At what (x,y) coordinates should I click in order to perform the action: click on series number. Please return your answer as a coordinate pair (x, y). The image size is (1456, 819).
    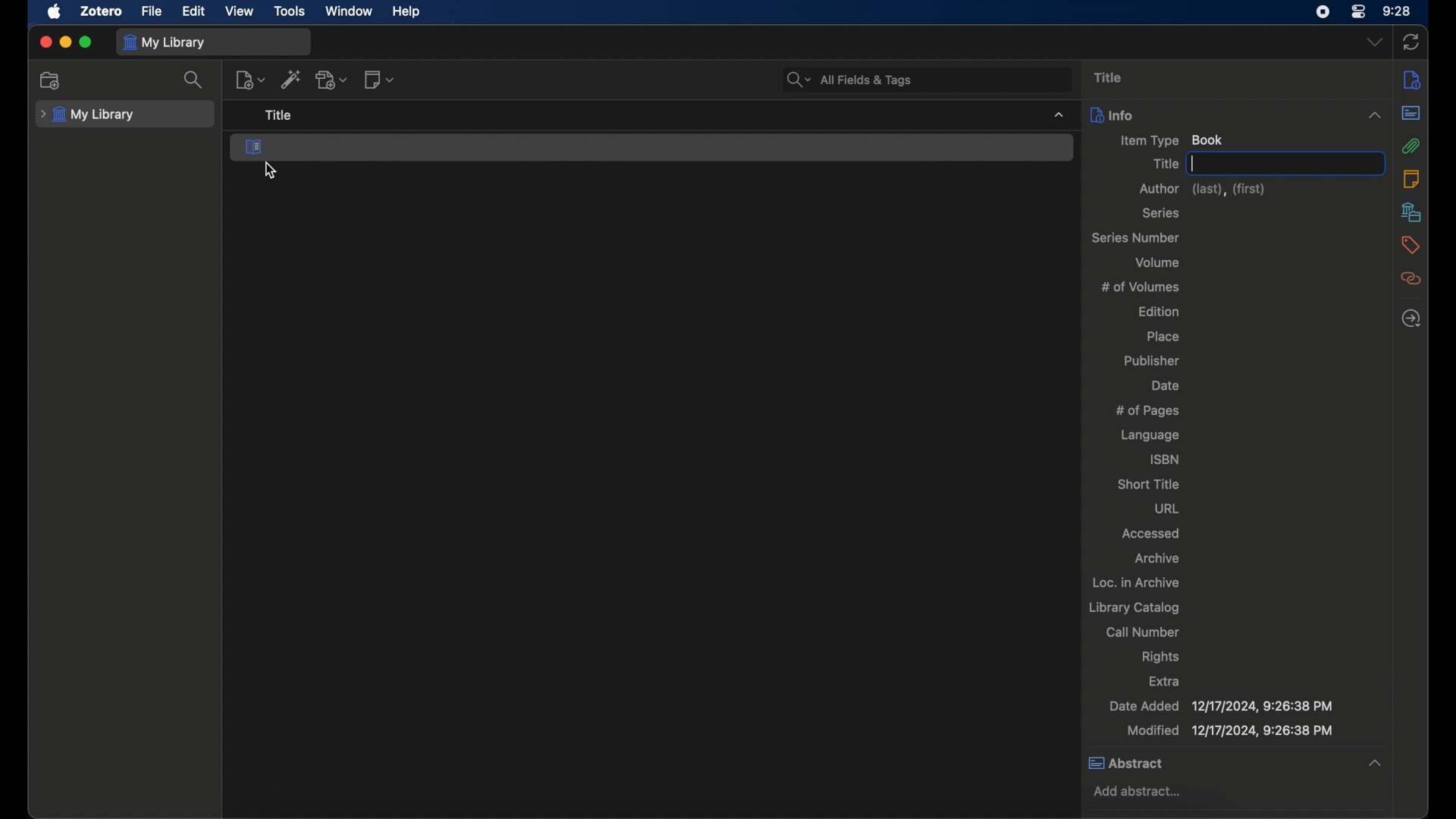
    Looking at the image, I should click on (1136, 238).